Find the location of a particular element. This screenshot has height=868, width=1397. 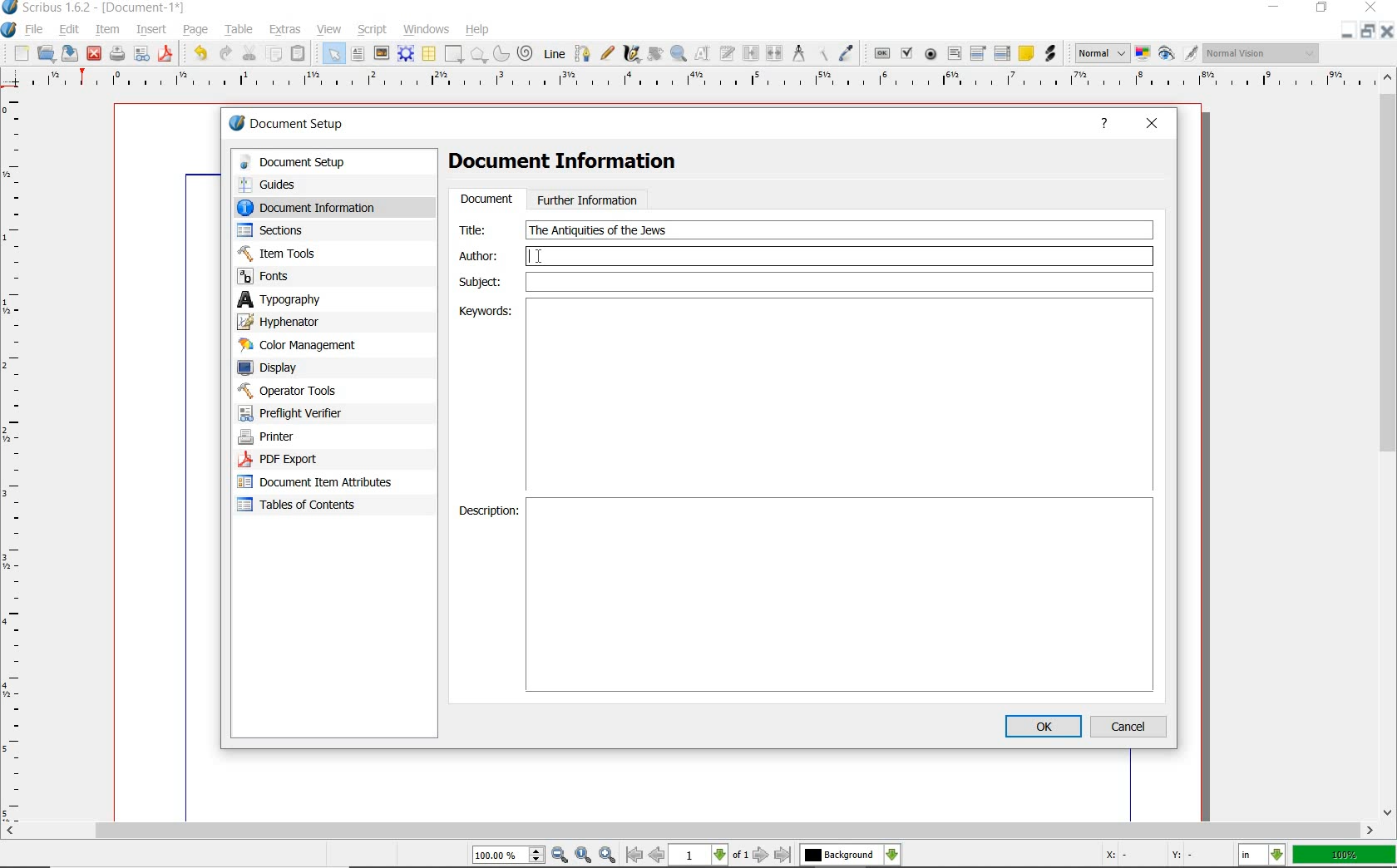

shape is located at coordinates (454, 53).